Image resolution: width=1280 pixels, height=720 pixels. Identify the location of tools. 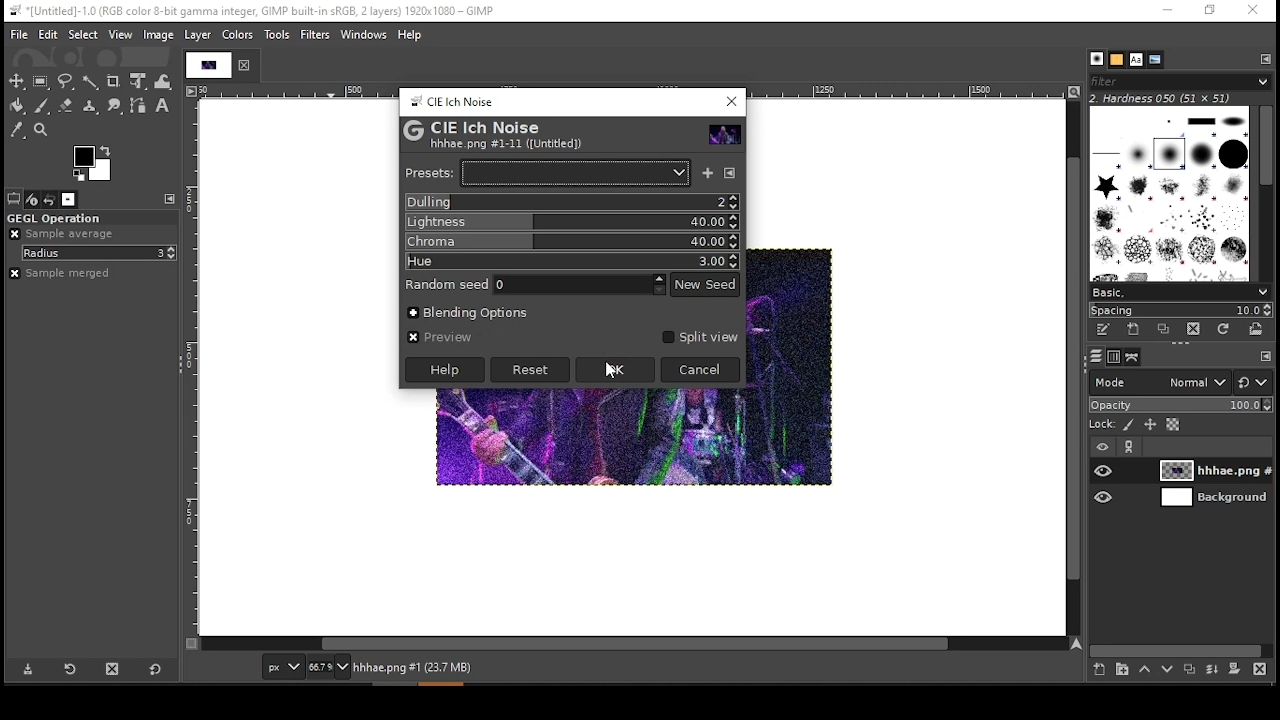
(277, 37).